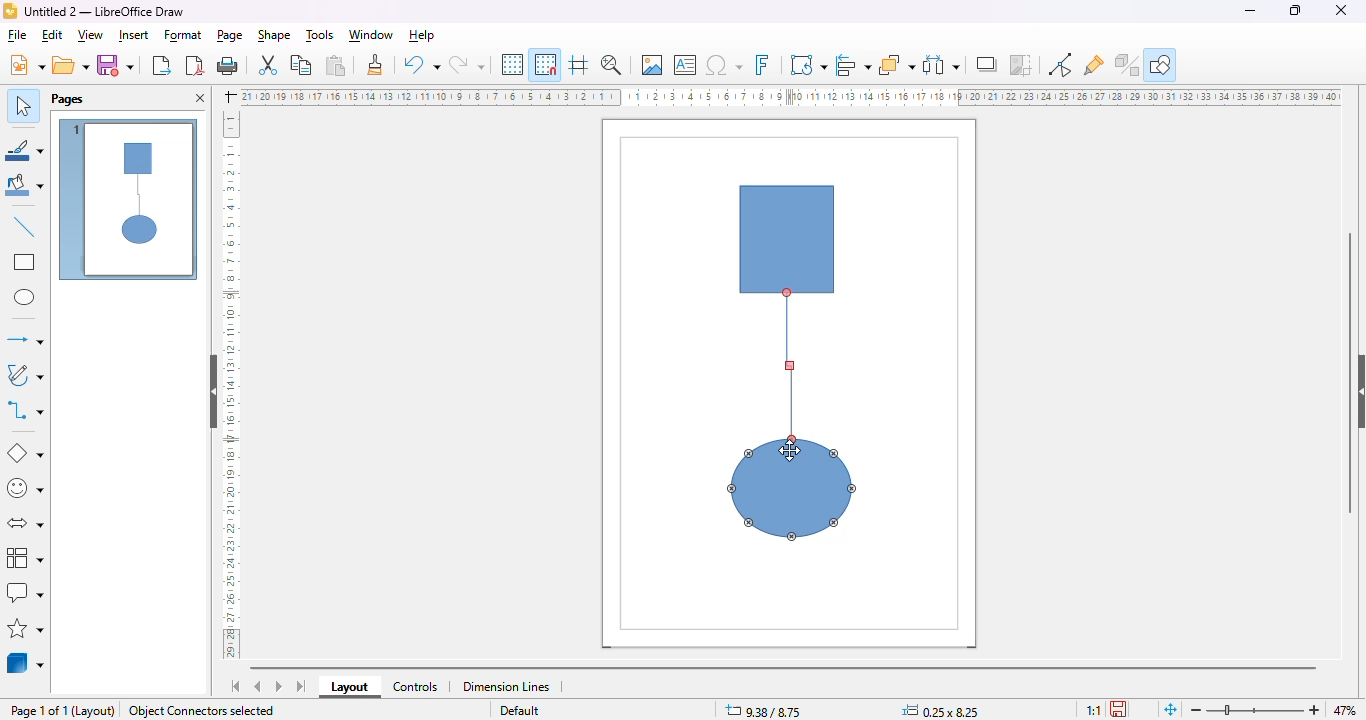  I want to click on 9.38/8.75 , so click(764, 710).